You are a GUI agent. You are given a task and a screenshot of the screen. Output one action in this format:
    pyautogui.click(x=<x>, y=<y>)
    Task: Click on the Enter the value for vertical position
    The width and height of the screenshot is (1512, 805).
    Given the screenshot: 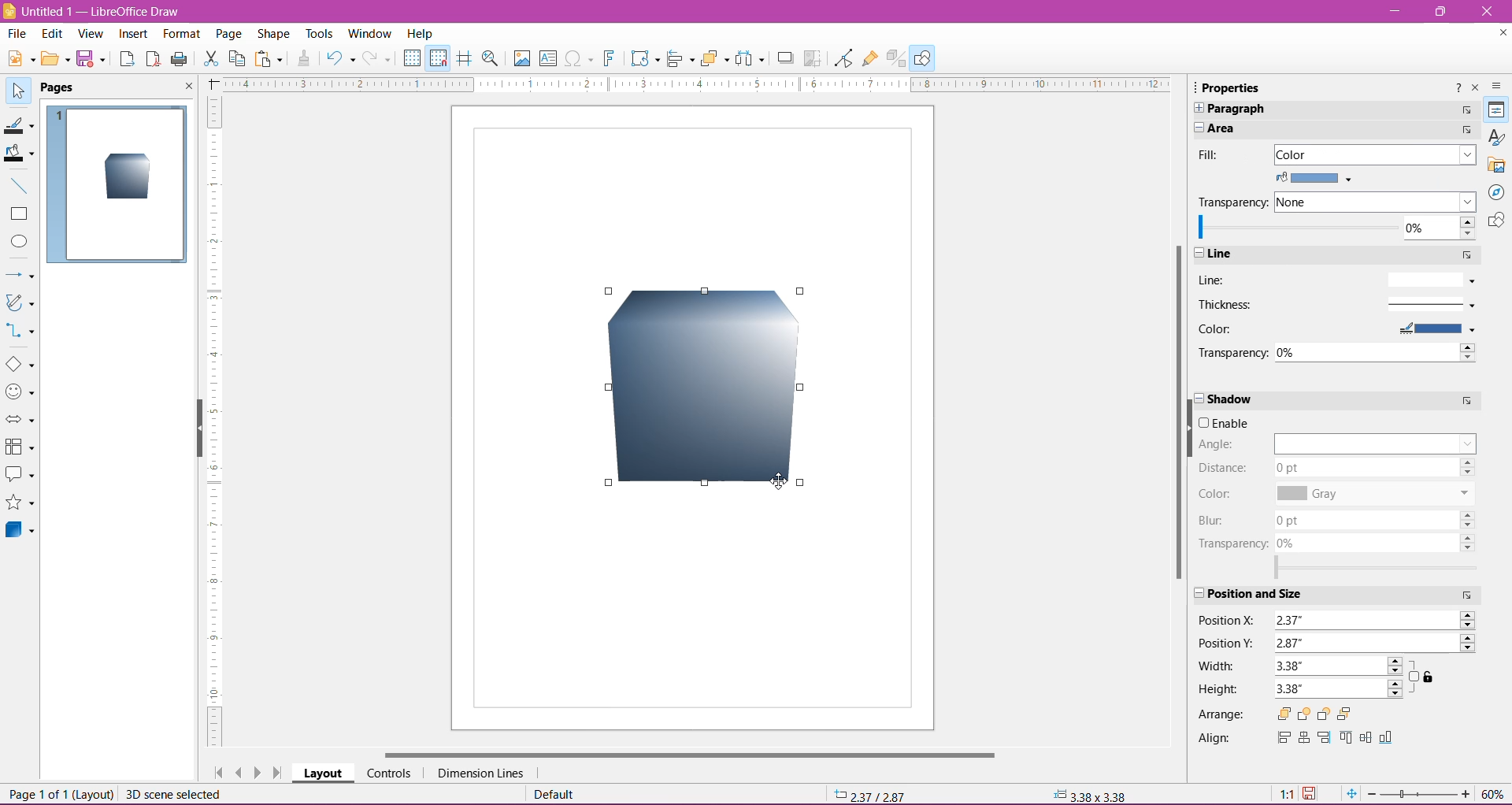 What is the action you would take?
    pyautogui.click(x=1374, y=641)
    